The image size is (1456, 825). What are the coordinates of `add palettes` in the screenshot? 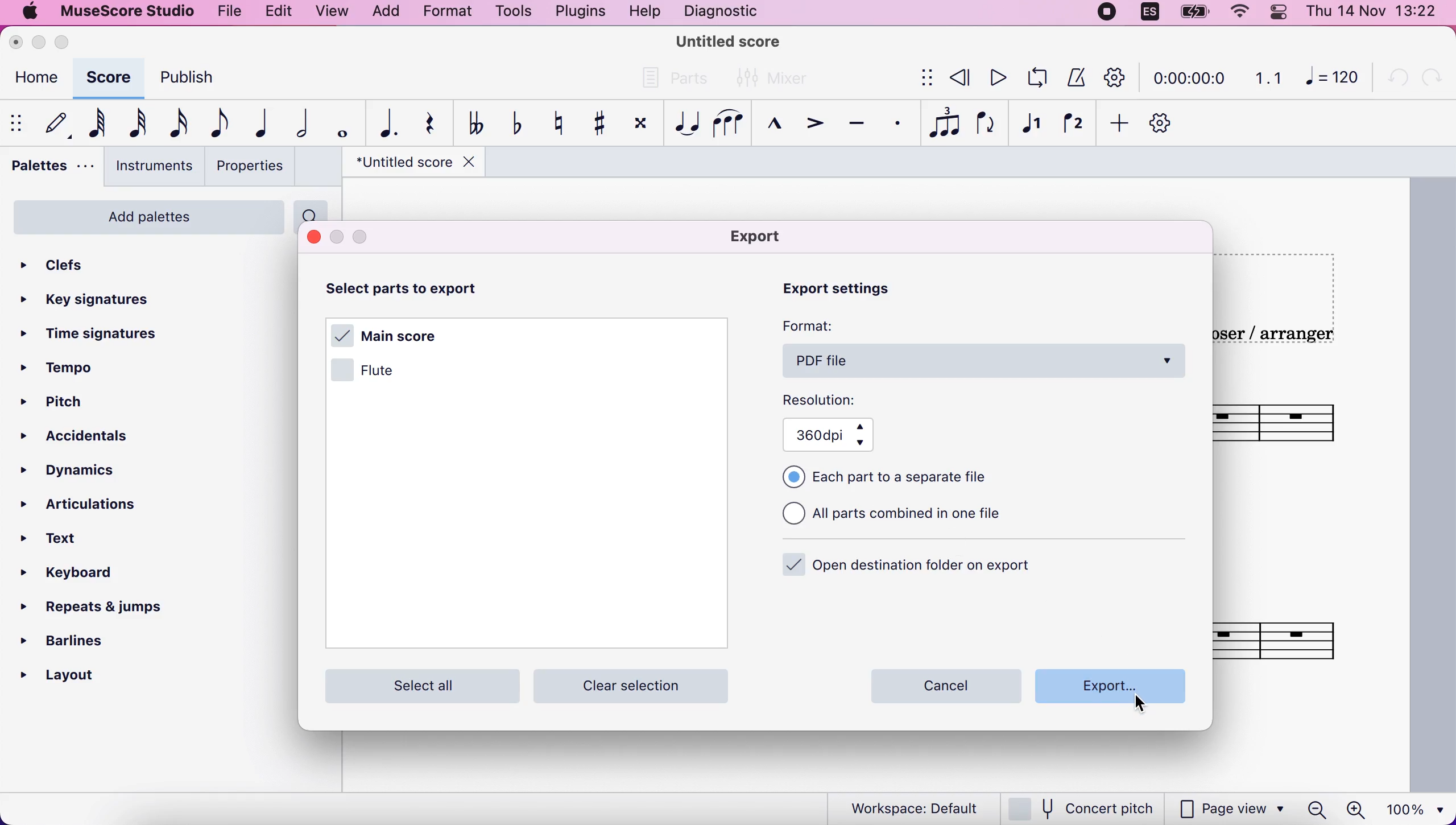 It's located at (148, 216).